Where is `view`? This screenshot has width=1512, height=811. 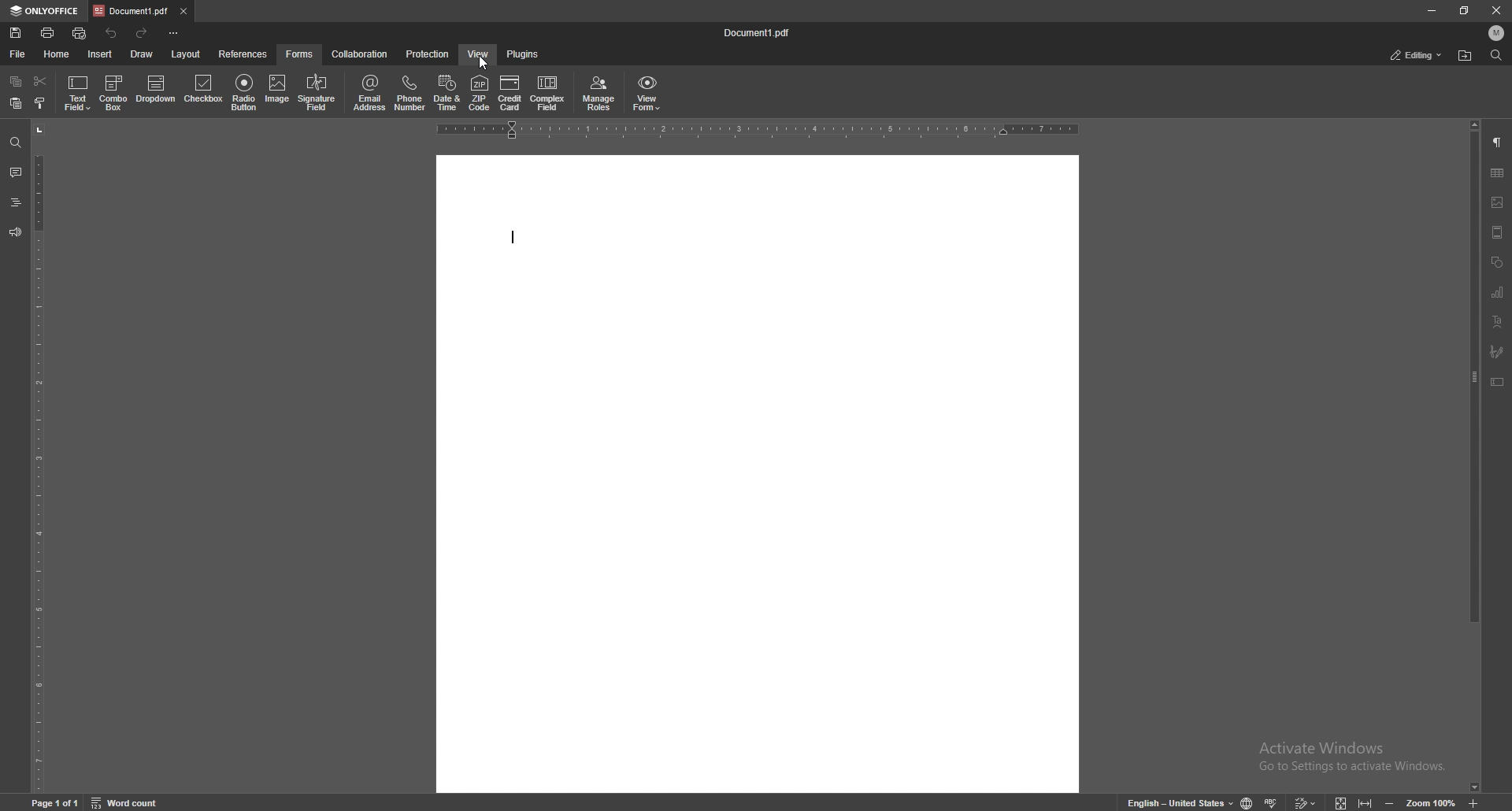
view is located at coordinates (477, 54).